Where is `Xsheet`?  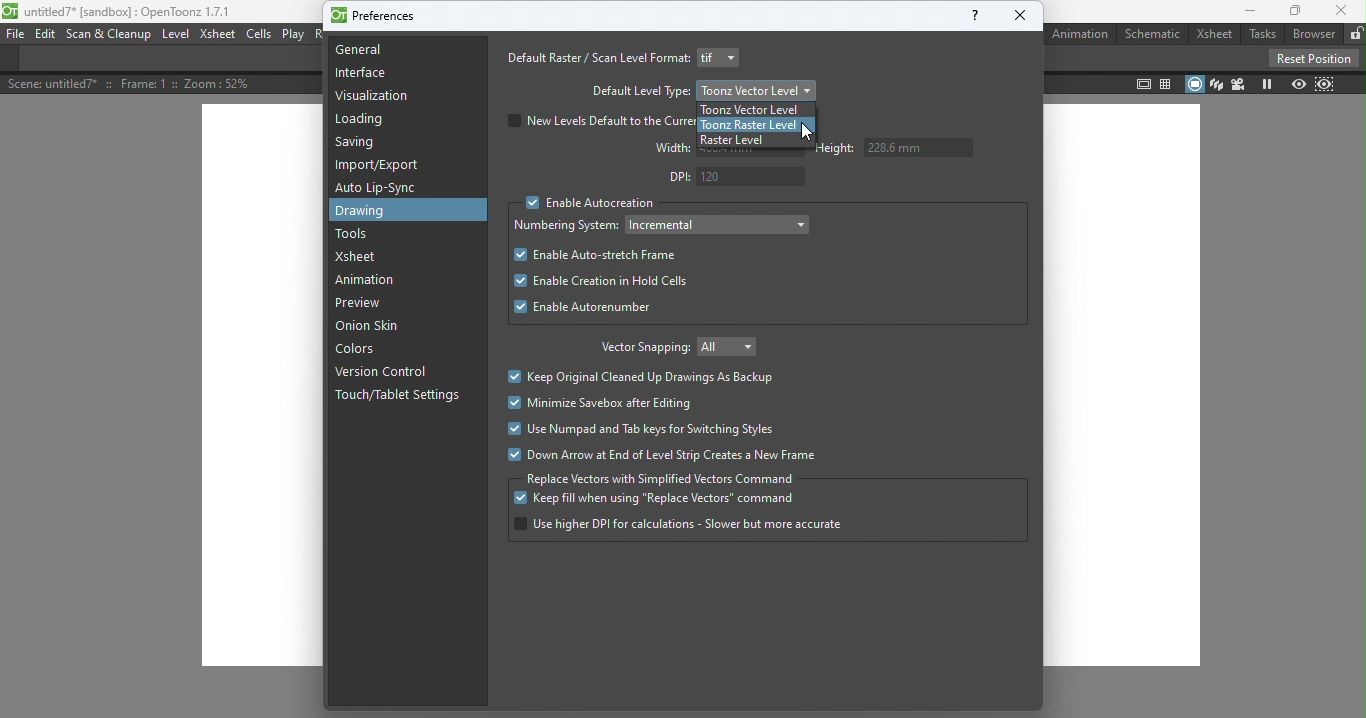 Xsheet is located at coordinates (216, 36).